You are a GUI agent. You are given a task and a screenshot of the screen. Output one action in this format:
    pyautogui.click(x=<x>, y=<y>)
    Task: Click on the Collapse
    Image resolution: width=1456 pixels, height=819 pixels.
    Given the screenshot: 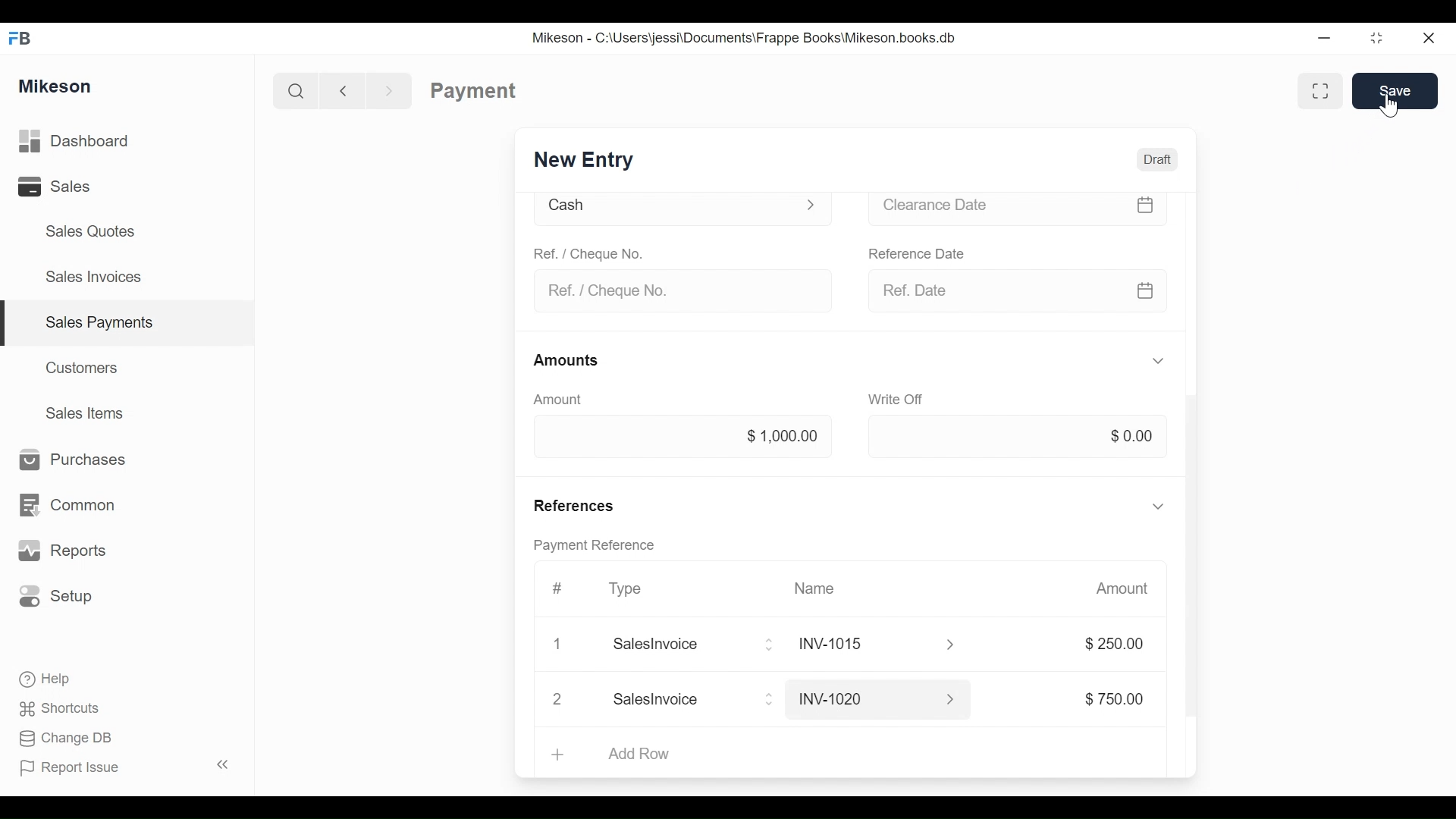 What is the action you would take?
    pyautogui.click(x=226, y=766)
    